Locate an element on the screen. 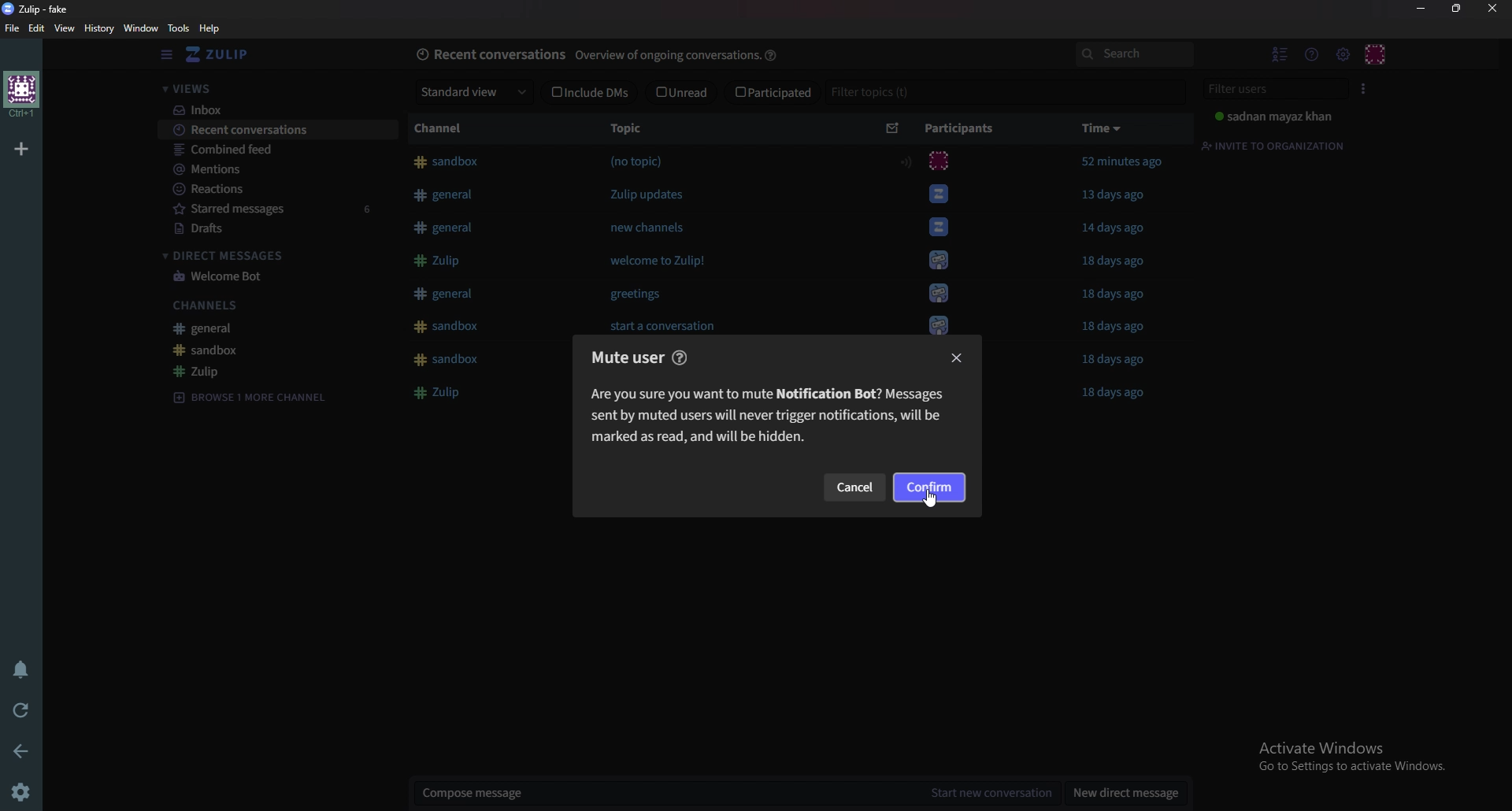  icon is located at coordinates (942, 158).